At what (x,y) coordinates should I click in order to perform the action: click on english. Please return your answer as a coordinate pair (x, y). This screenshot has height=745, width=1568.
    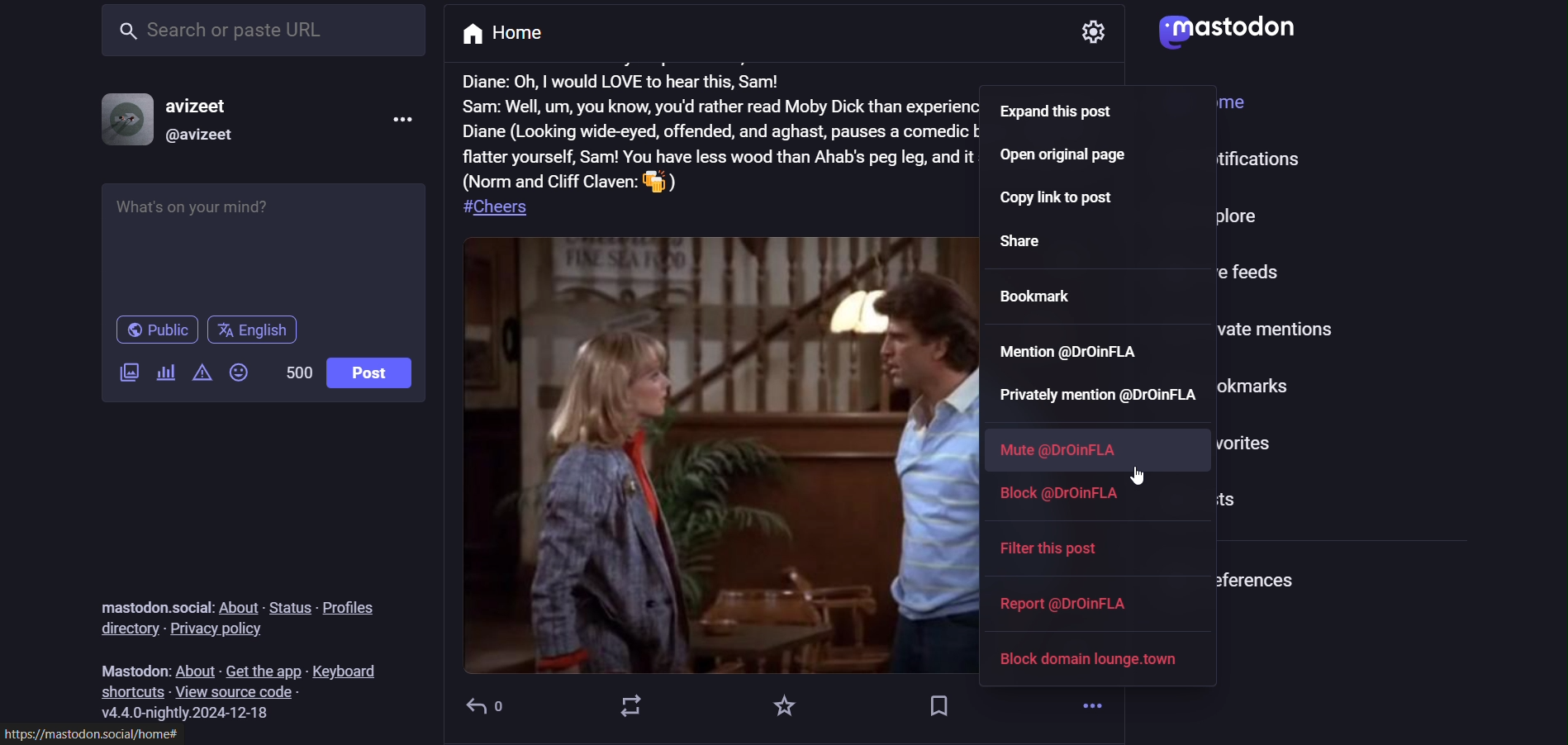
    Looking at the image, I should click on (256, 328).